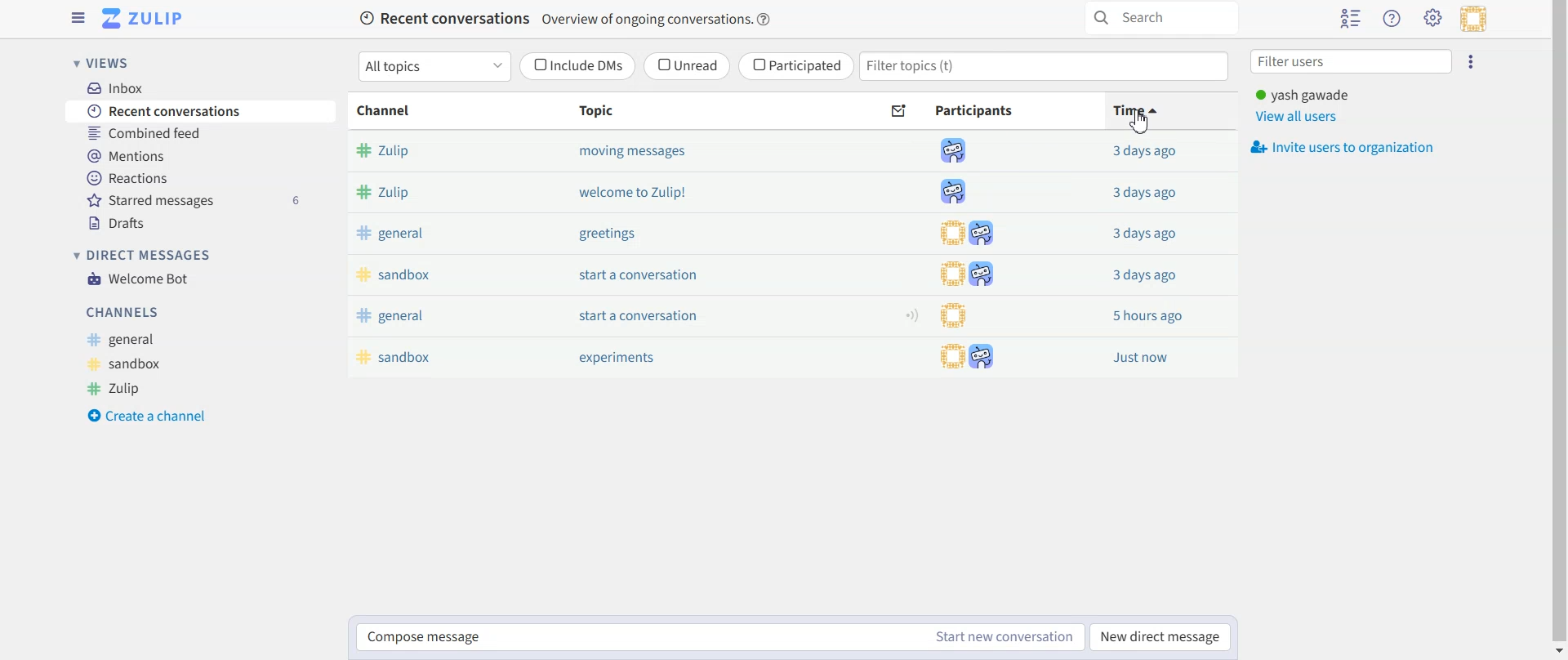 The width and height of the screenshot is (1568, 660). Describe the element at coordinates (387, 111) in the screenshot. I see `Channel` at that location.